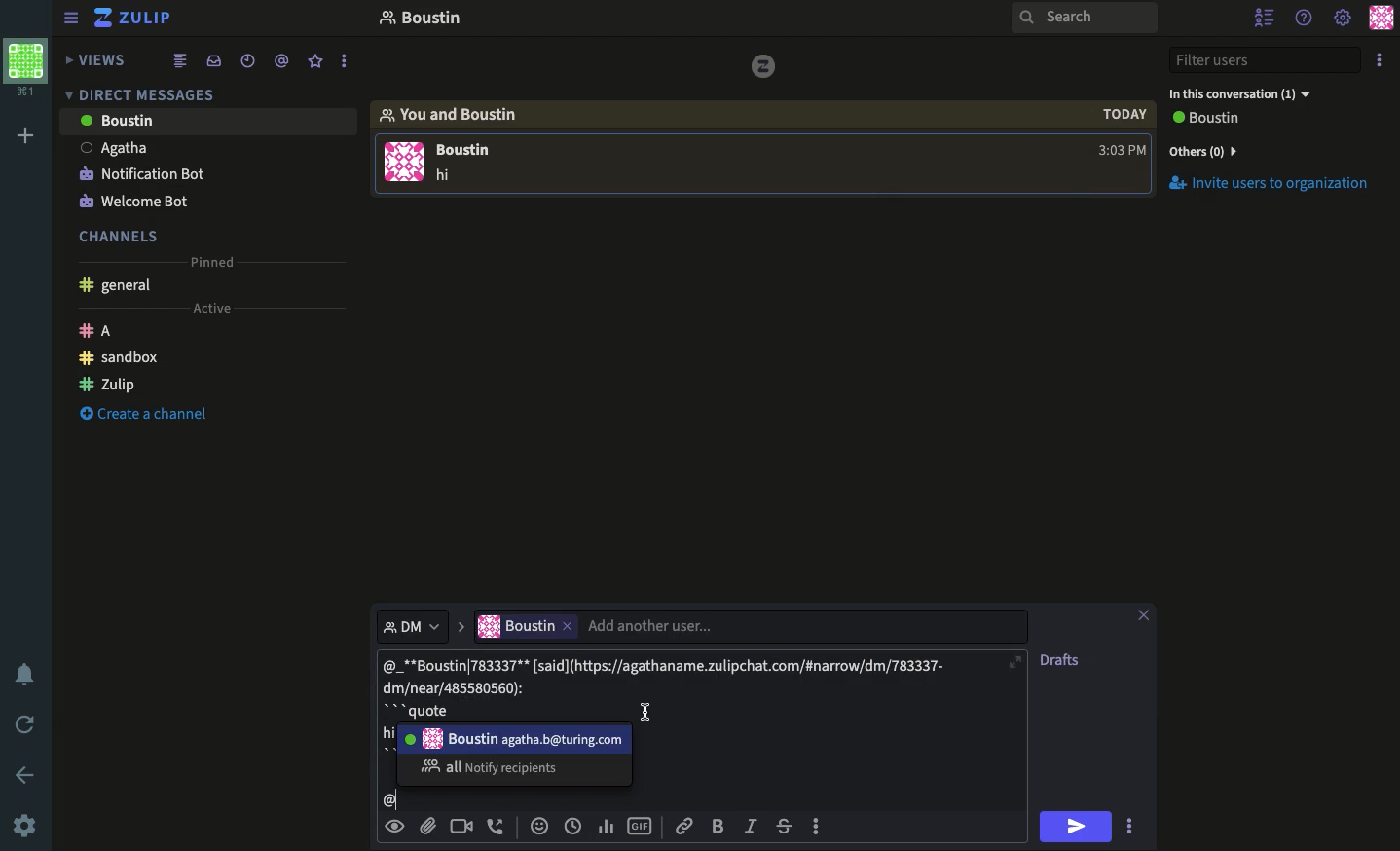  What do you see at coordinates (1305, 17) in the screenshot?
I see `Help` at bounding box center [1305, 17].